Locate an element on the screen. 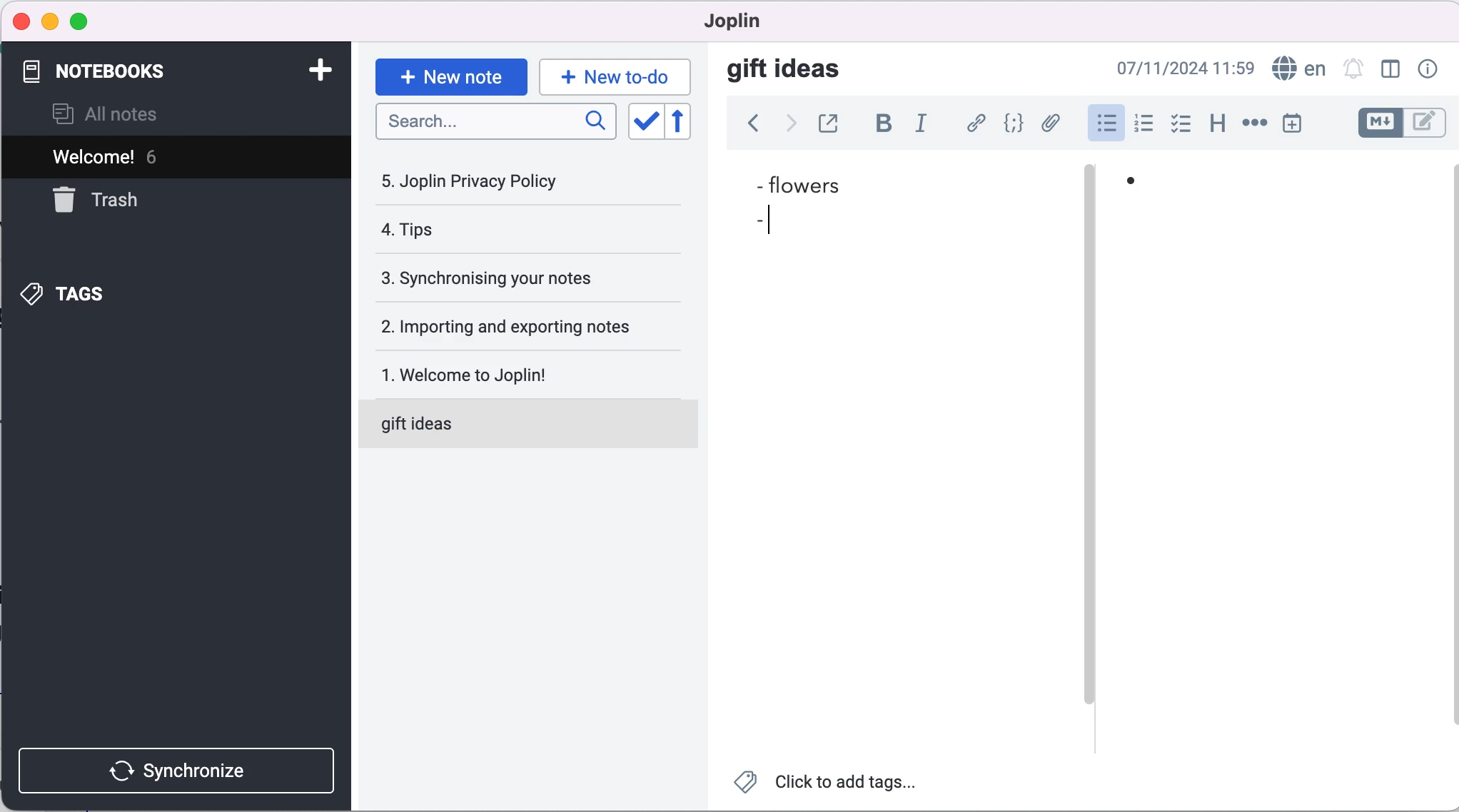  bulleted list is located at coordinates (1104, 122).